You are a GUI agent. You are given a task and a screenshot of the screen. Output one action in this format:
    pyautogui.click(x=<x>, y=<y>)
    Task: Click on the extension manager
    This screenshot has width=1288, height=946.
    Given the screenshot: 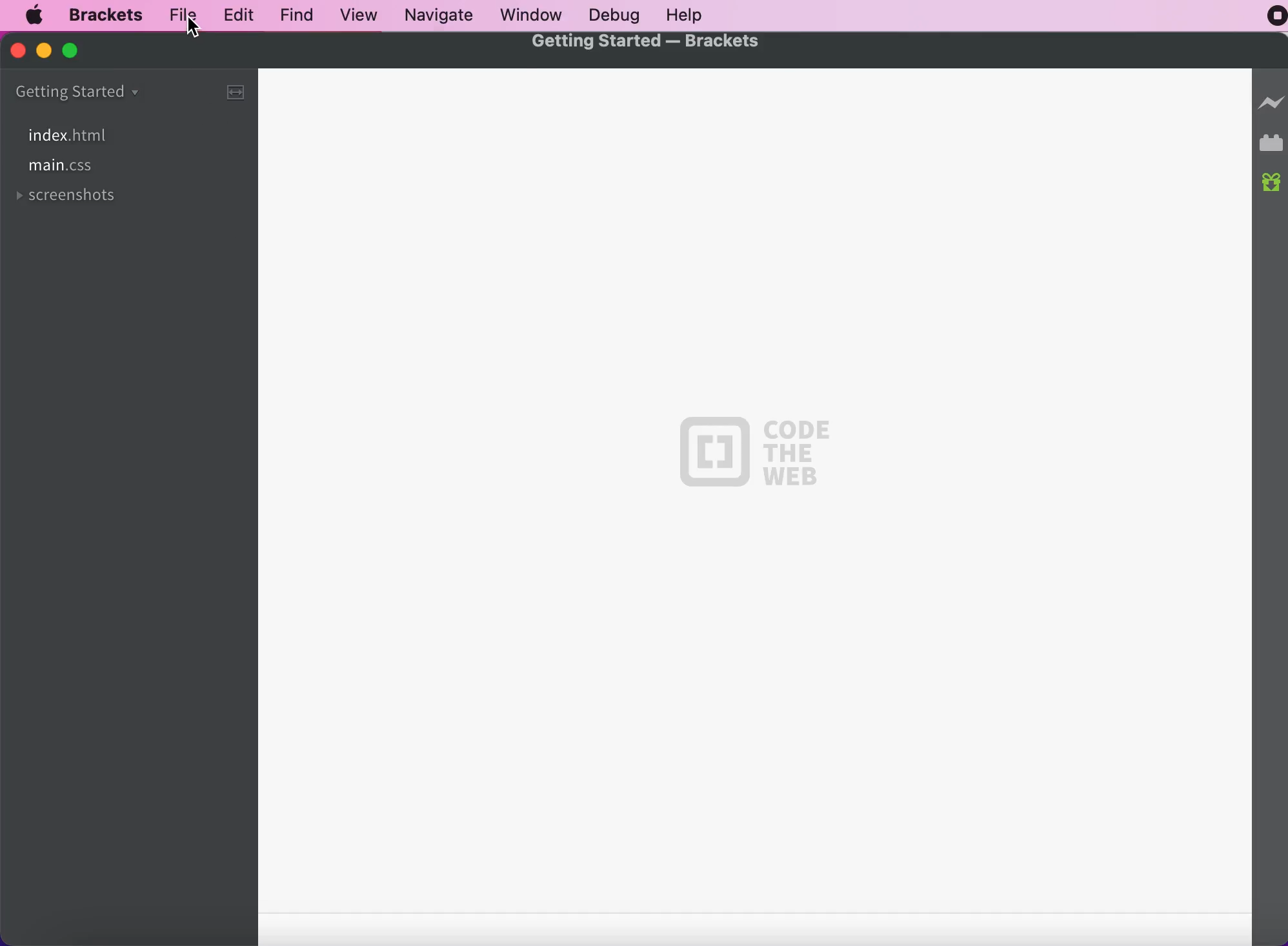 What is the action you would take?
    pyautogui.click(x=1271, y=142)
    